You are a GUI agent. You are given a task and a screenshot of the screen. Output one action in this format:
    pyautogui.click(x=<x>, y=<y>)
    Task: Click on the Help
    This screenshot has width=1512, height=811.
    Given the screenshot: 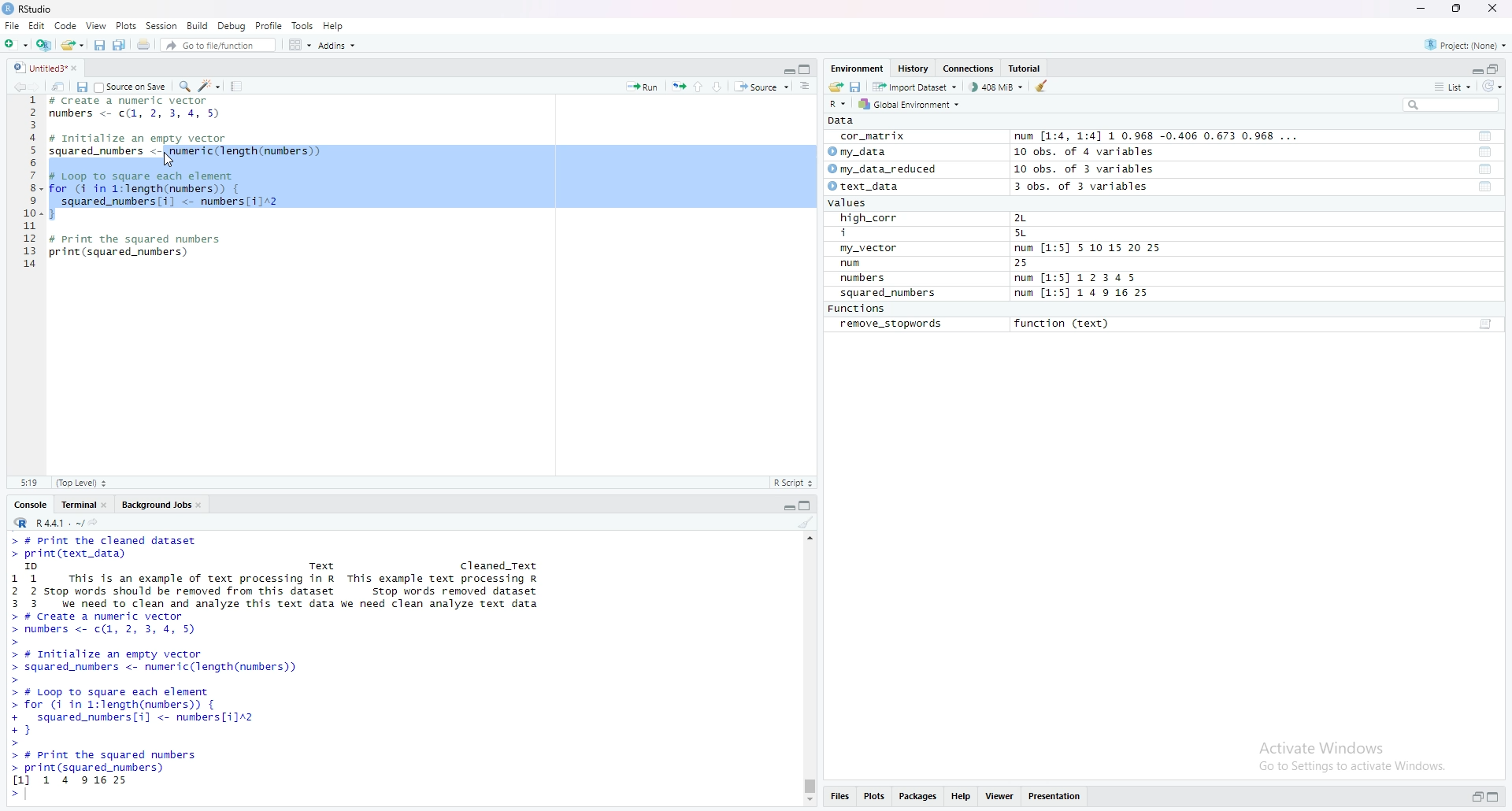 What is the action you would take?
    pyautogui.click(x=334, y=25)
    